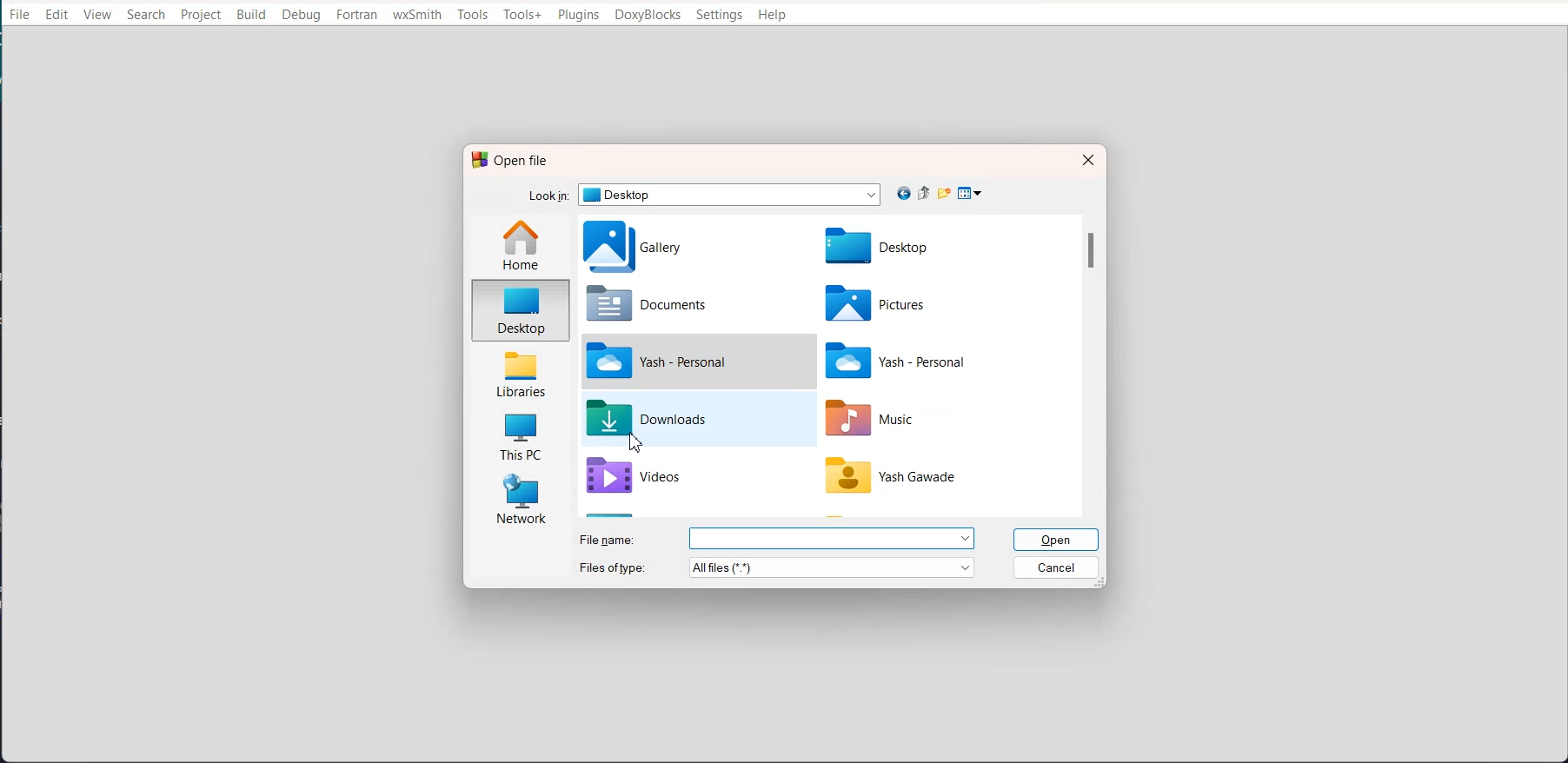 This screenshot has width=1568, height=763. Describe the element at coordinates (773, 16) in the screenshot. I see `Help` at that location.